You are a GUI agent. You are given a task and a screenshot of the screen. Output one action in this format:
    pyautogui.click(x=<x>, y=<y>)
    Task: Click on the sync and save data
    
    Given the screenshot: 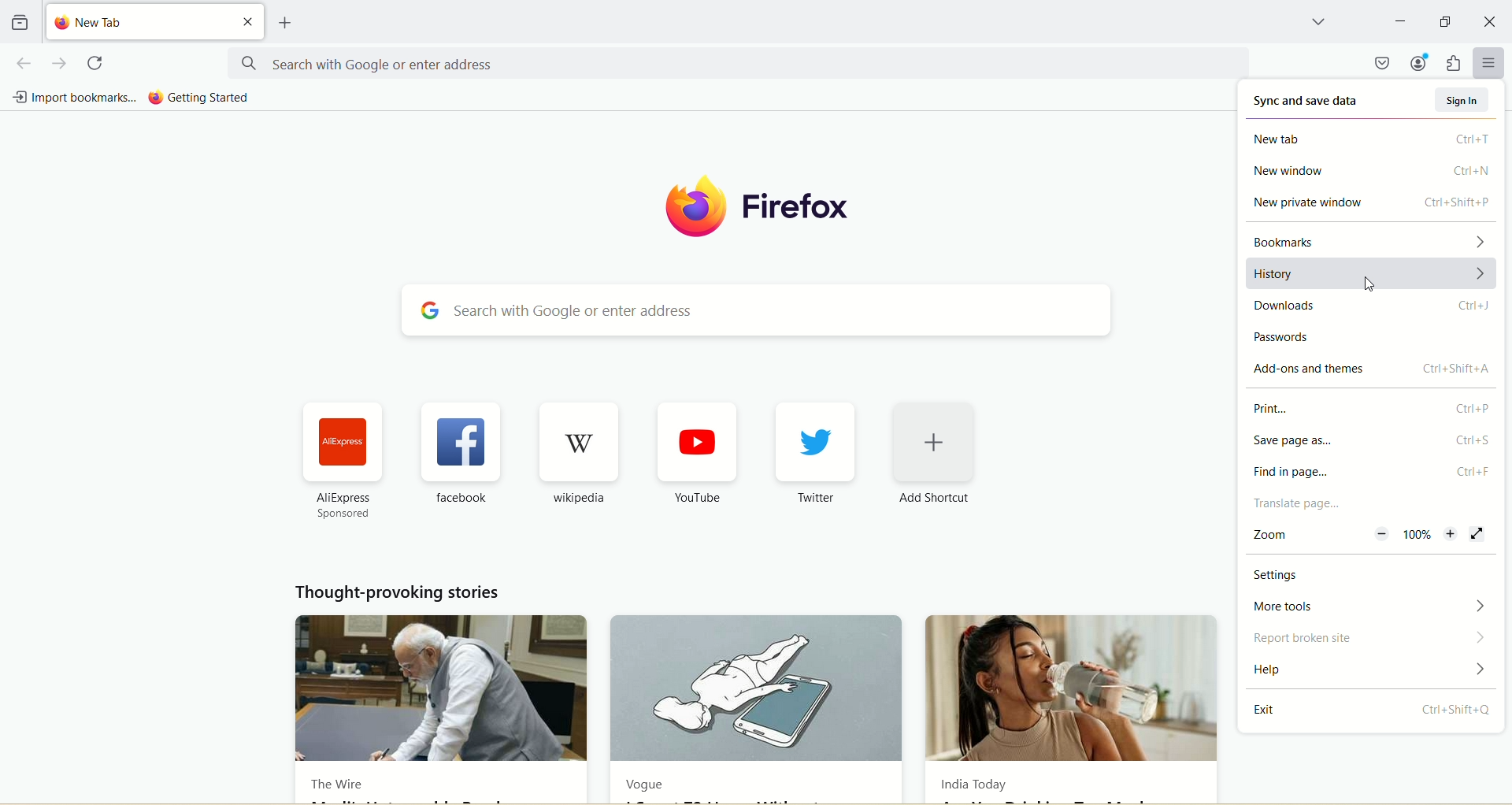 What is the action you would take?
    pyautogui.click(x=1308, y=96)
    